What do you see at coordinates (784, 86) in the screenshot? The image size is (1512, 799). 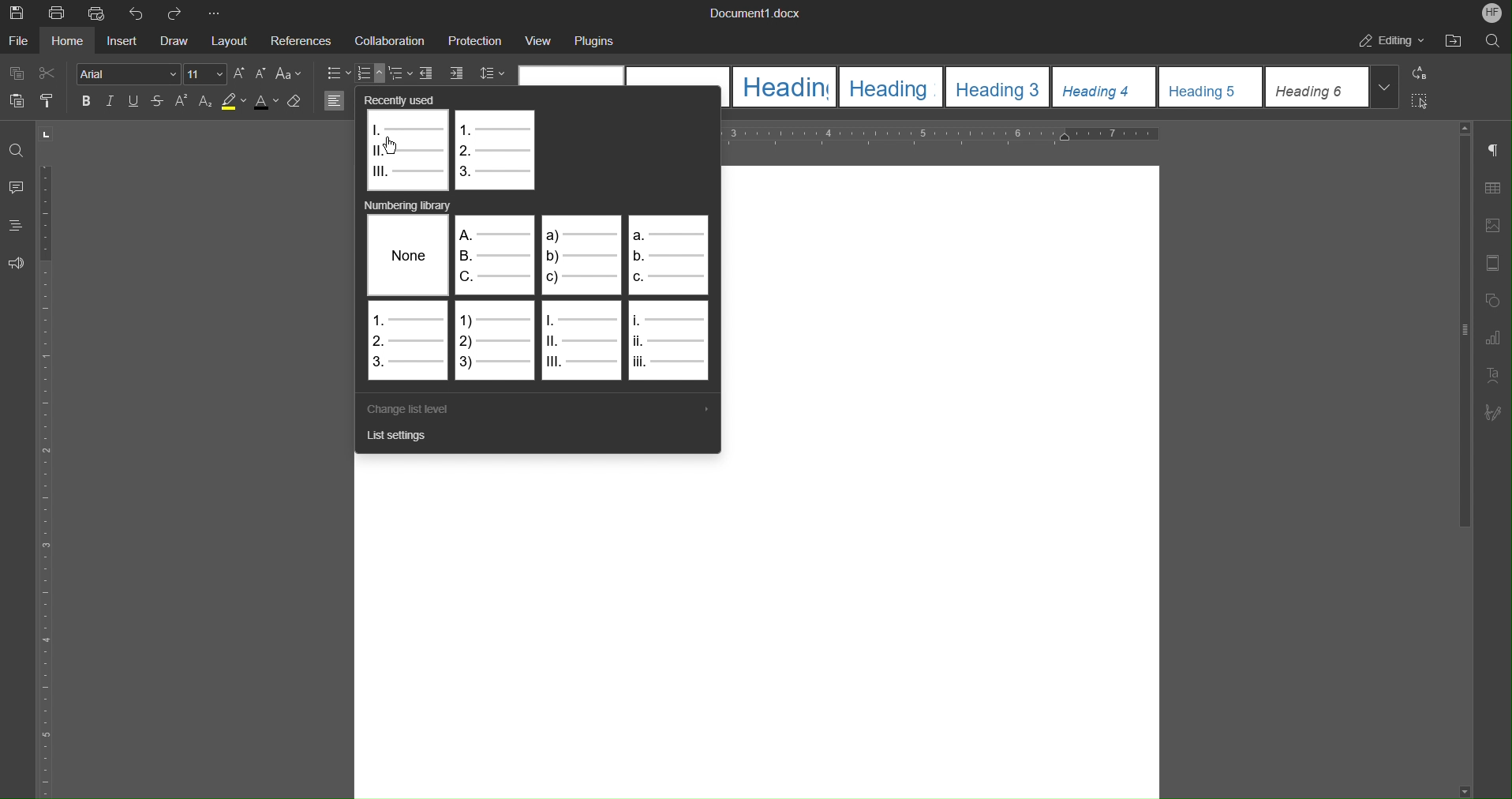 I see `Heading 1` at bounding box center [784, 86].